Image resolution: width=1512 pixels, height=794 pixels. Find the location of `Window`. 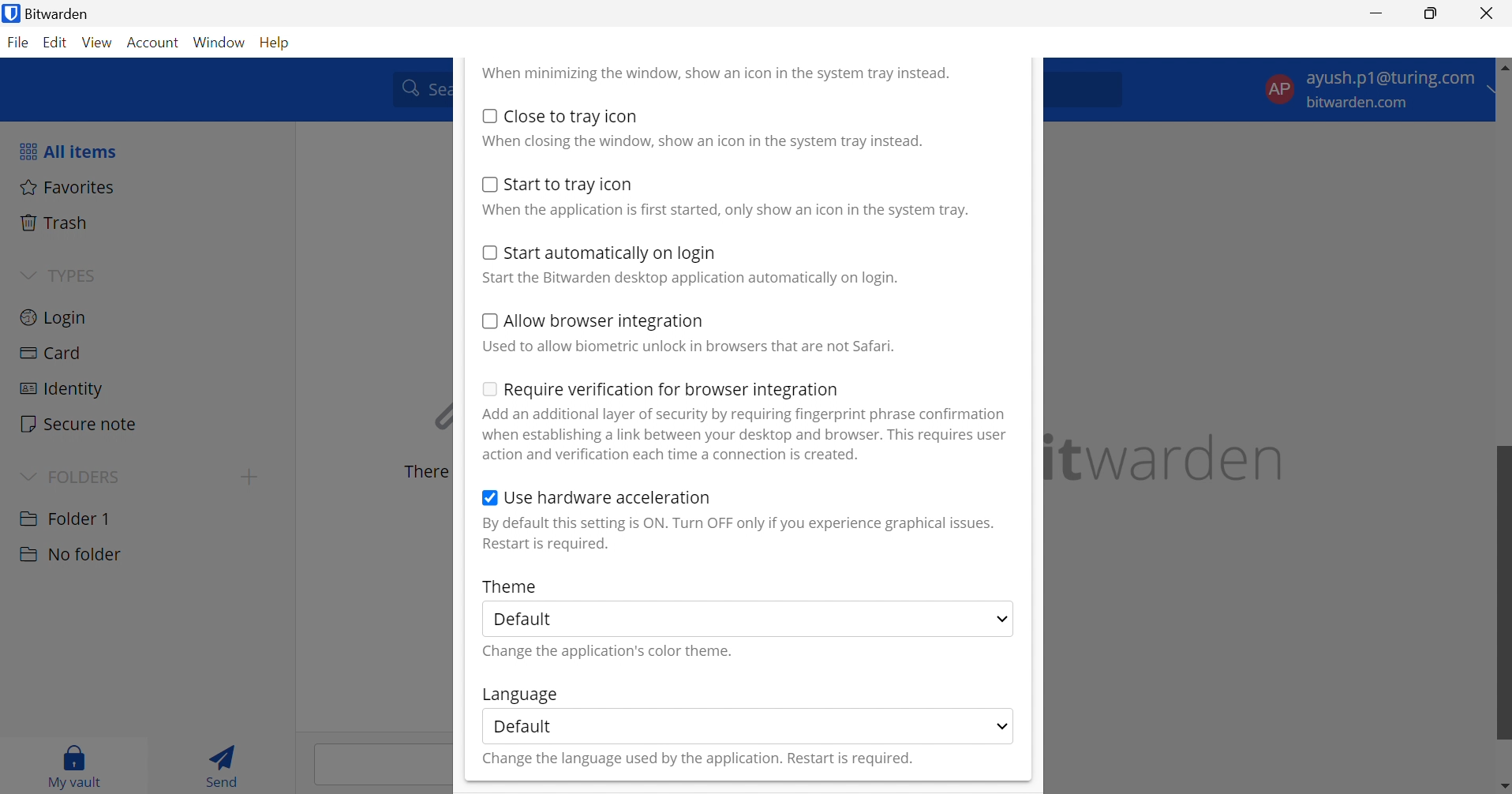

Window is located at coordinates (221, 42).